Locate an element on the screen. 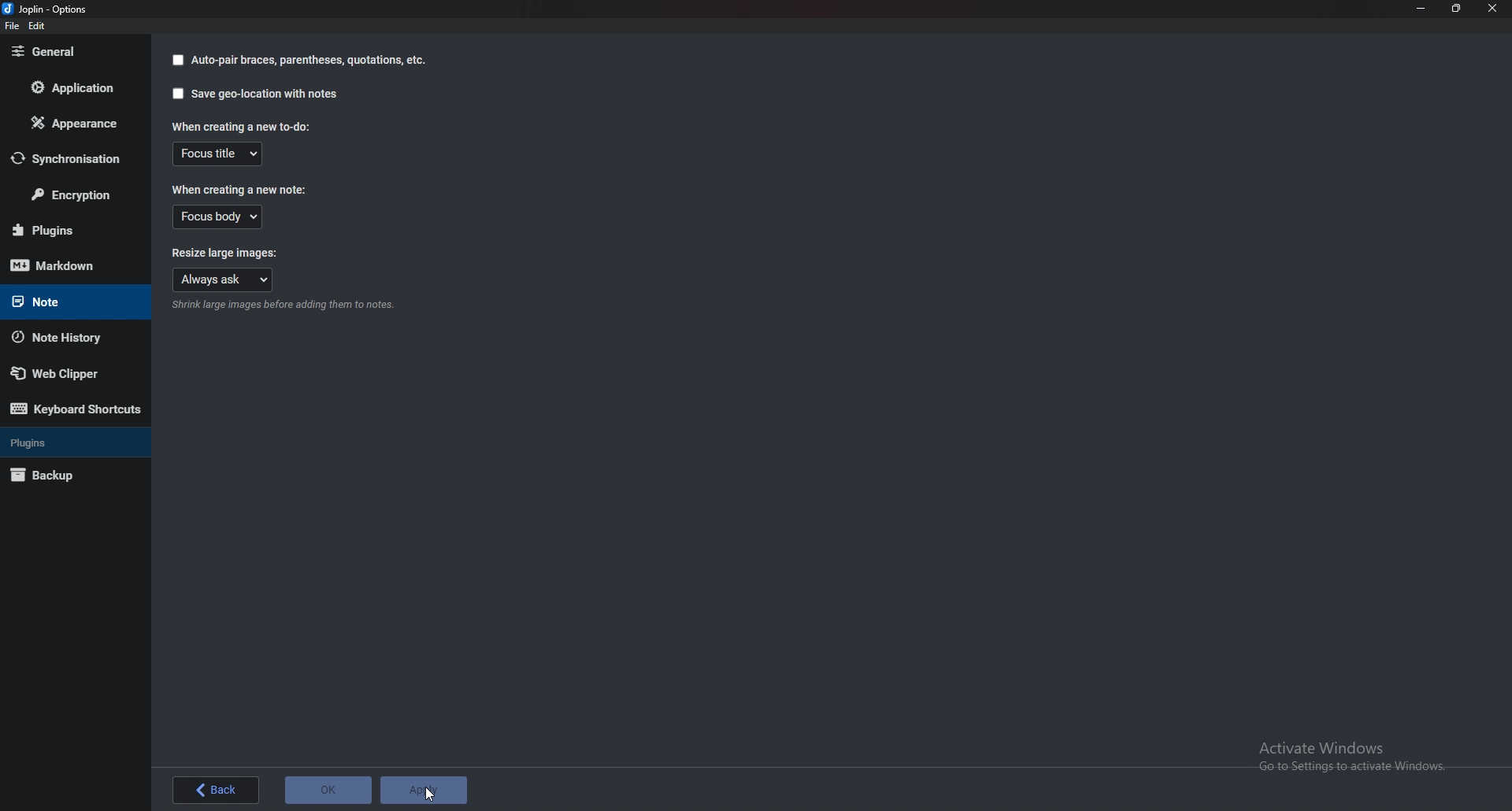  checkbox is located at coordinates (177, 94).